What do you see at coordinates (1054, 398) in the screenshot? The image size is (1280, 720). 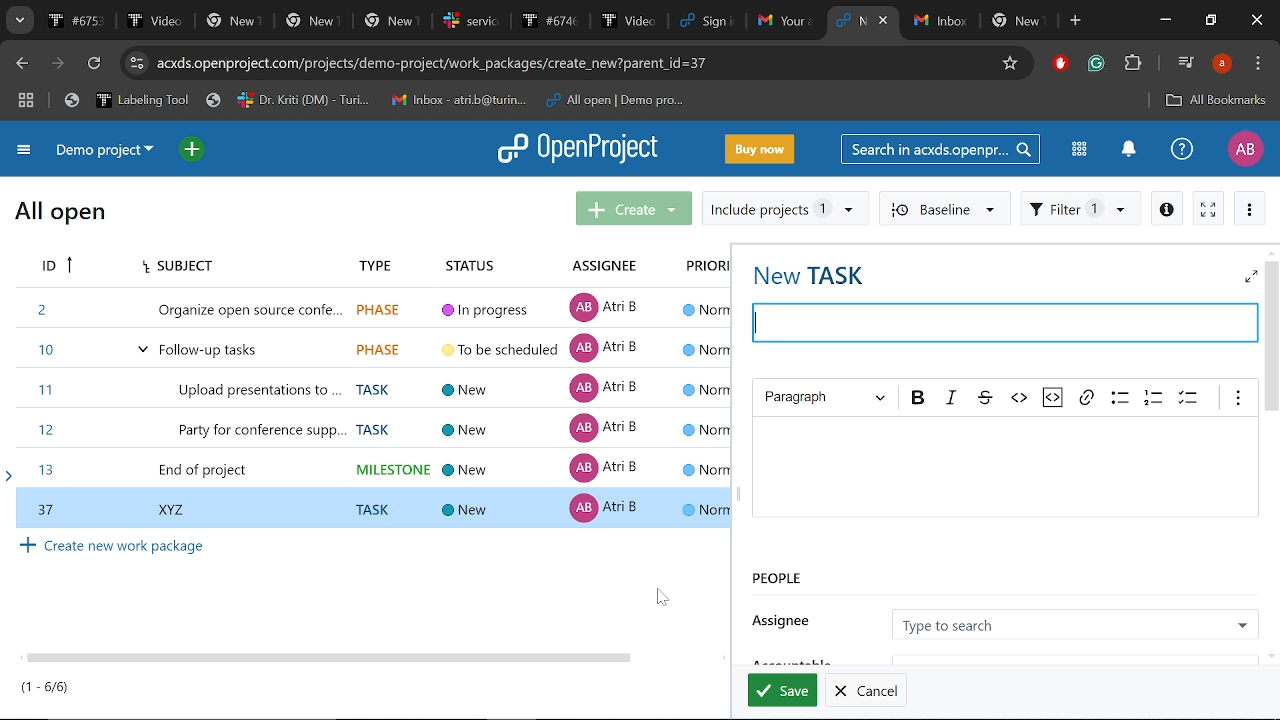 I see `Insert code snippet` at bounding box center [1054, 398].